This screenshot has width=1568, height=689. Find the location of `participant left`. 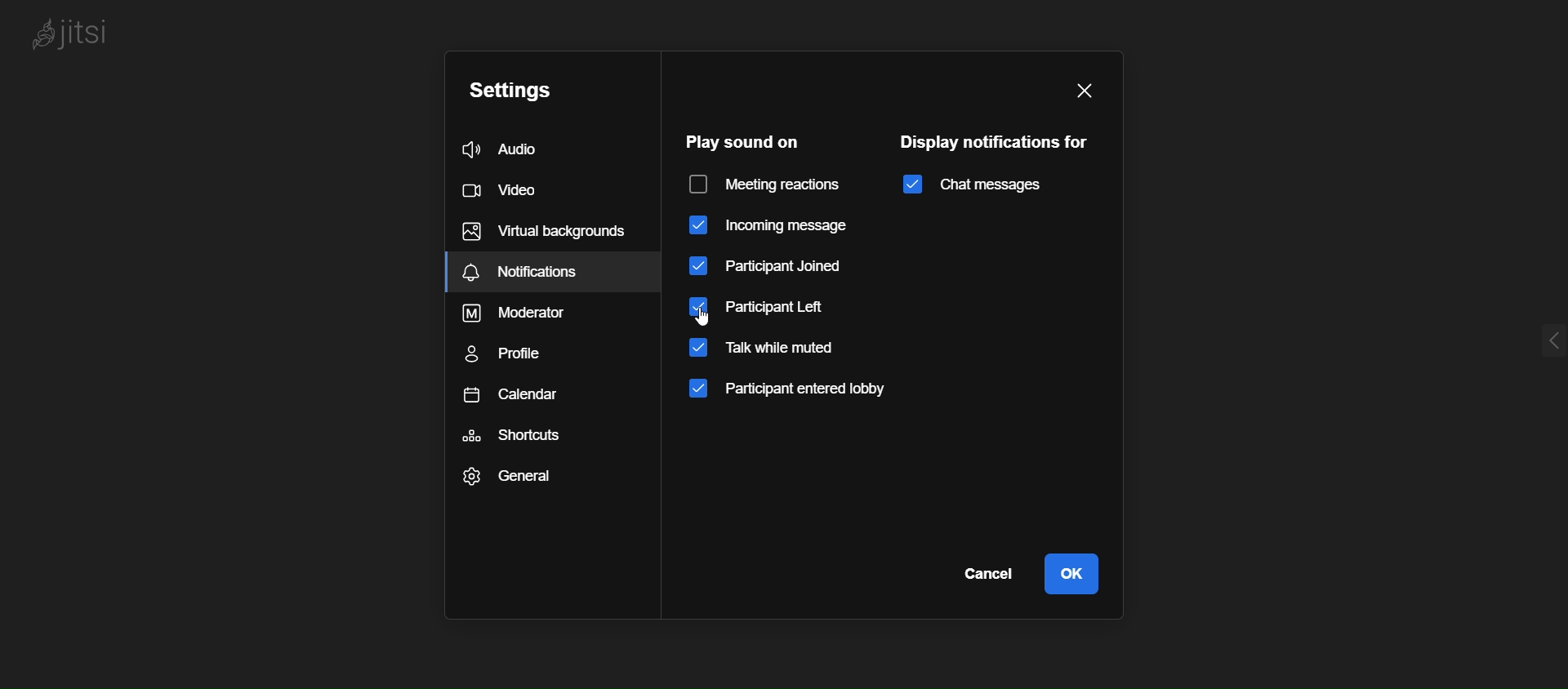

participant left is located at coordinates (764, 307).